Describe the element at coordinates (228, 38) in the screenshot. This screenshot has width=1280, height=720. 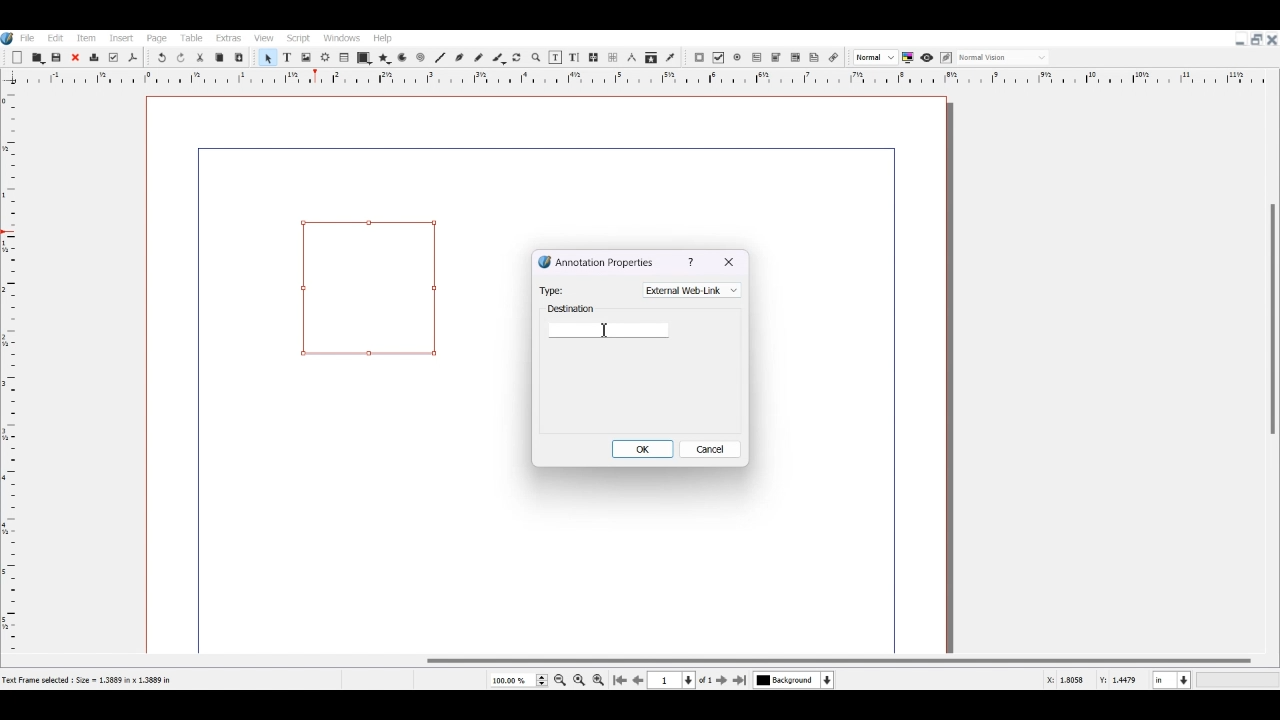
I see `Extras` at that location.